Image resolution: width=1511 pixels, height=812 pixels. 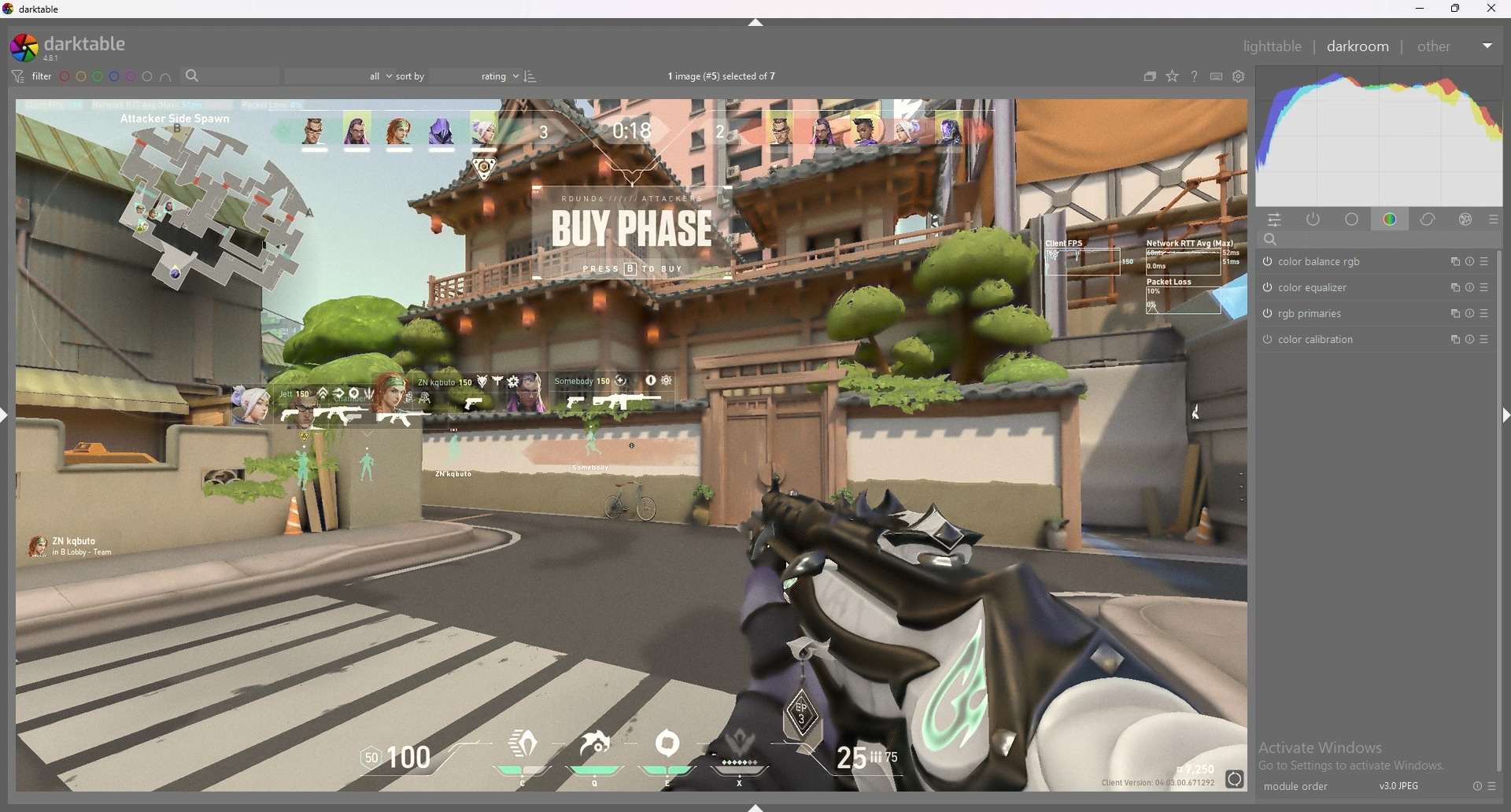 I want to click on help, so click(x=1194, y=78).